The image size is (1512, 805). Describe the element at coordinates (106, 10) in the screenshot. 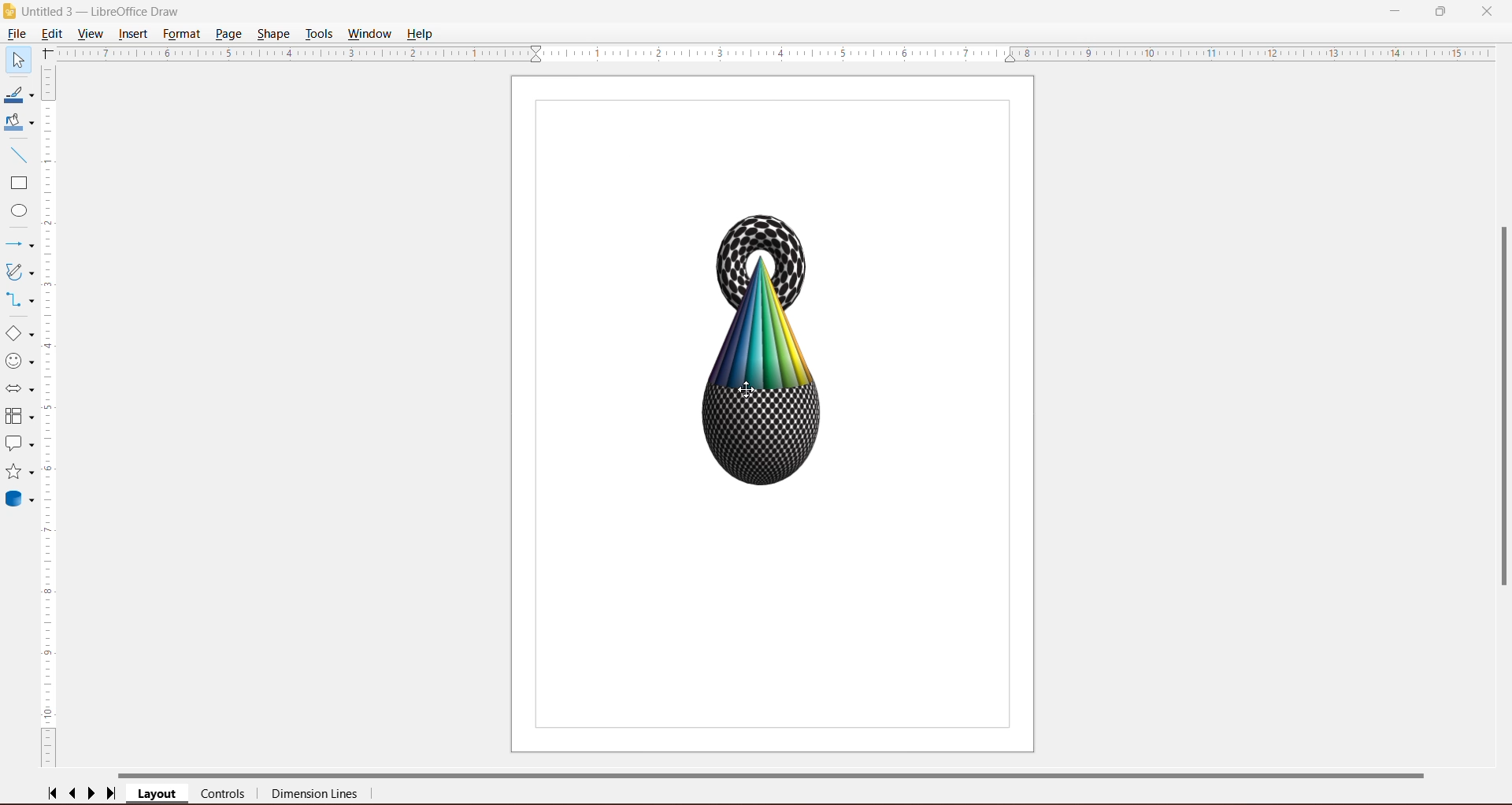

I see `Diagram Title - Application Name` at that location.